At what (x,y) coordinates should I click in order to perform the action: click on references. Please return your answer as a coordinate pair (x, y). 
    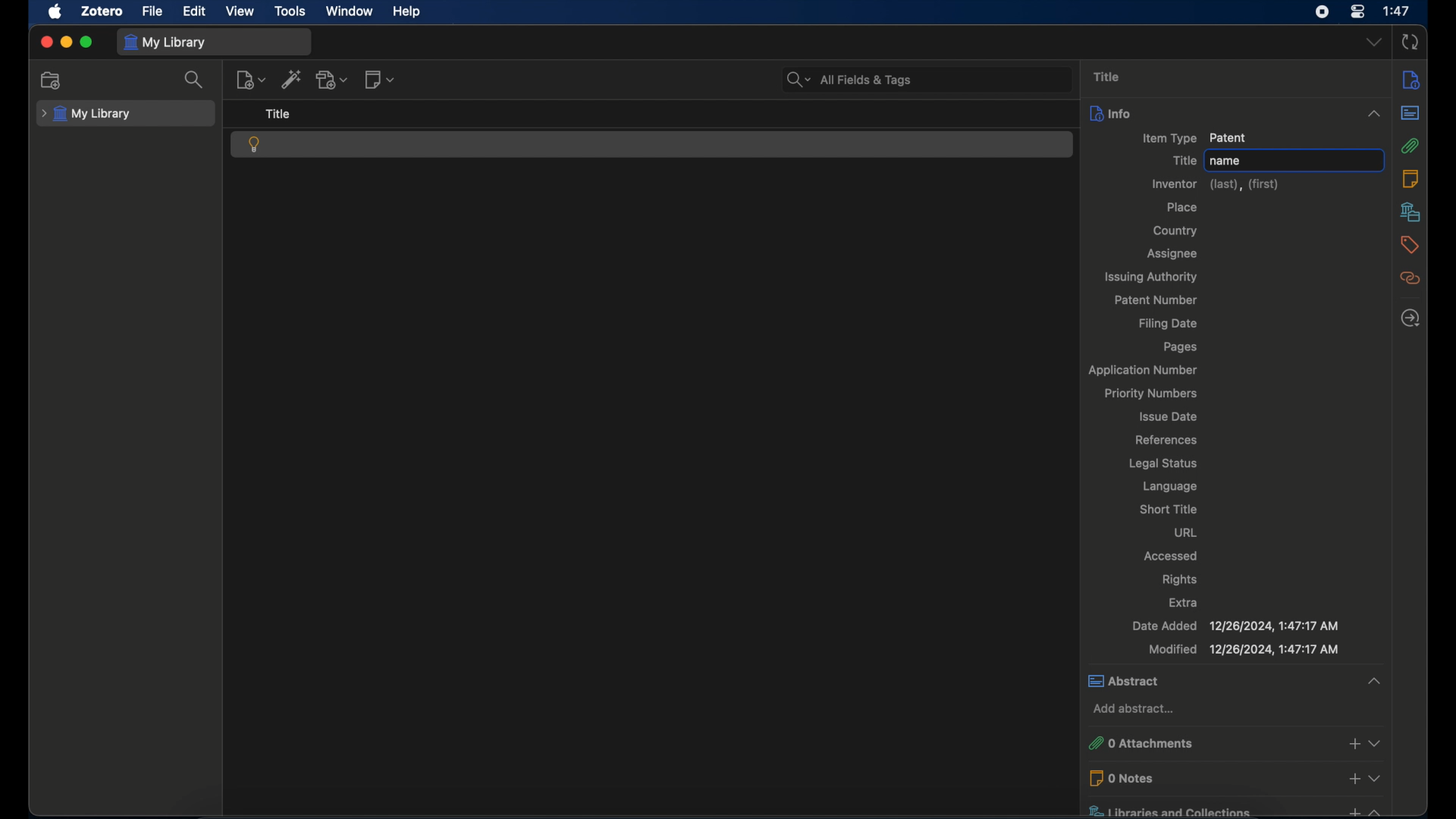
    Looking at the image, I should click on (1165, 441).